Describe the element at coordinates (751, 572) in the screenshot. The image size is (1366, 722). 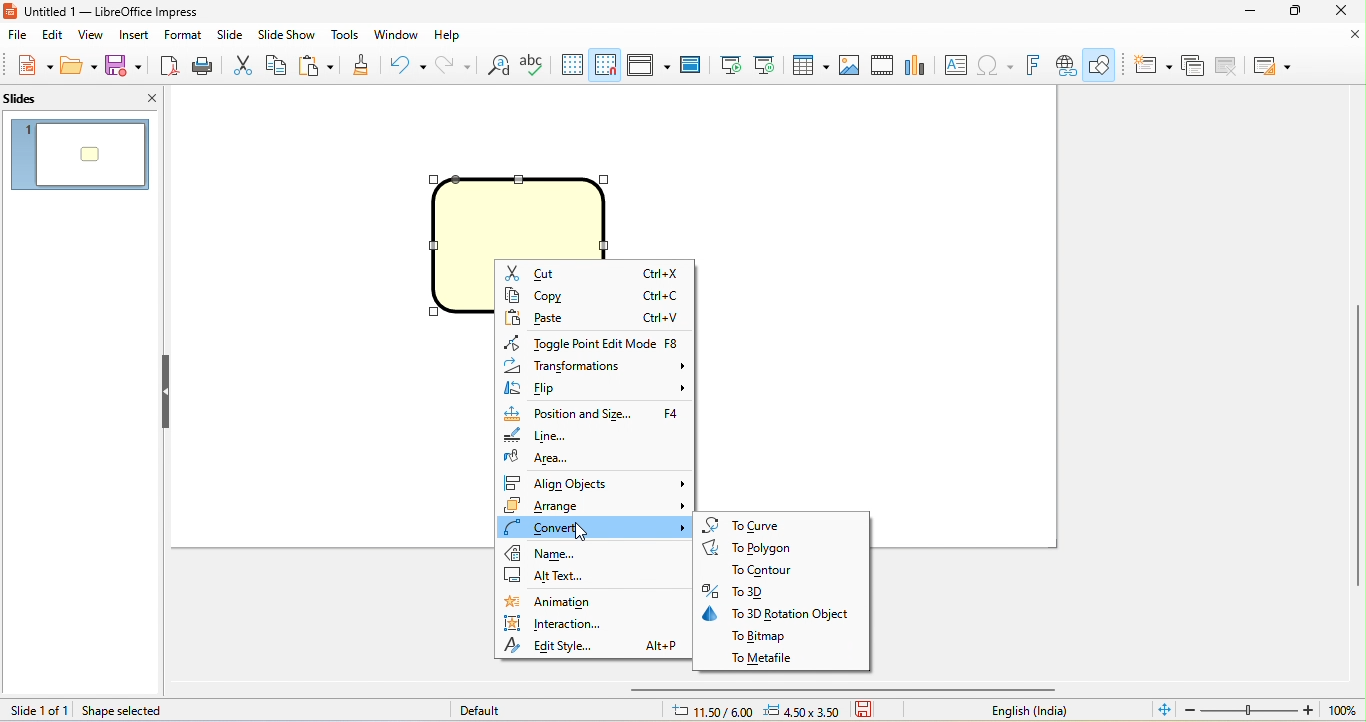
I see `to contour` at that location.